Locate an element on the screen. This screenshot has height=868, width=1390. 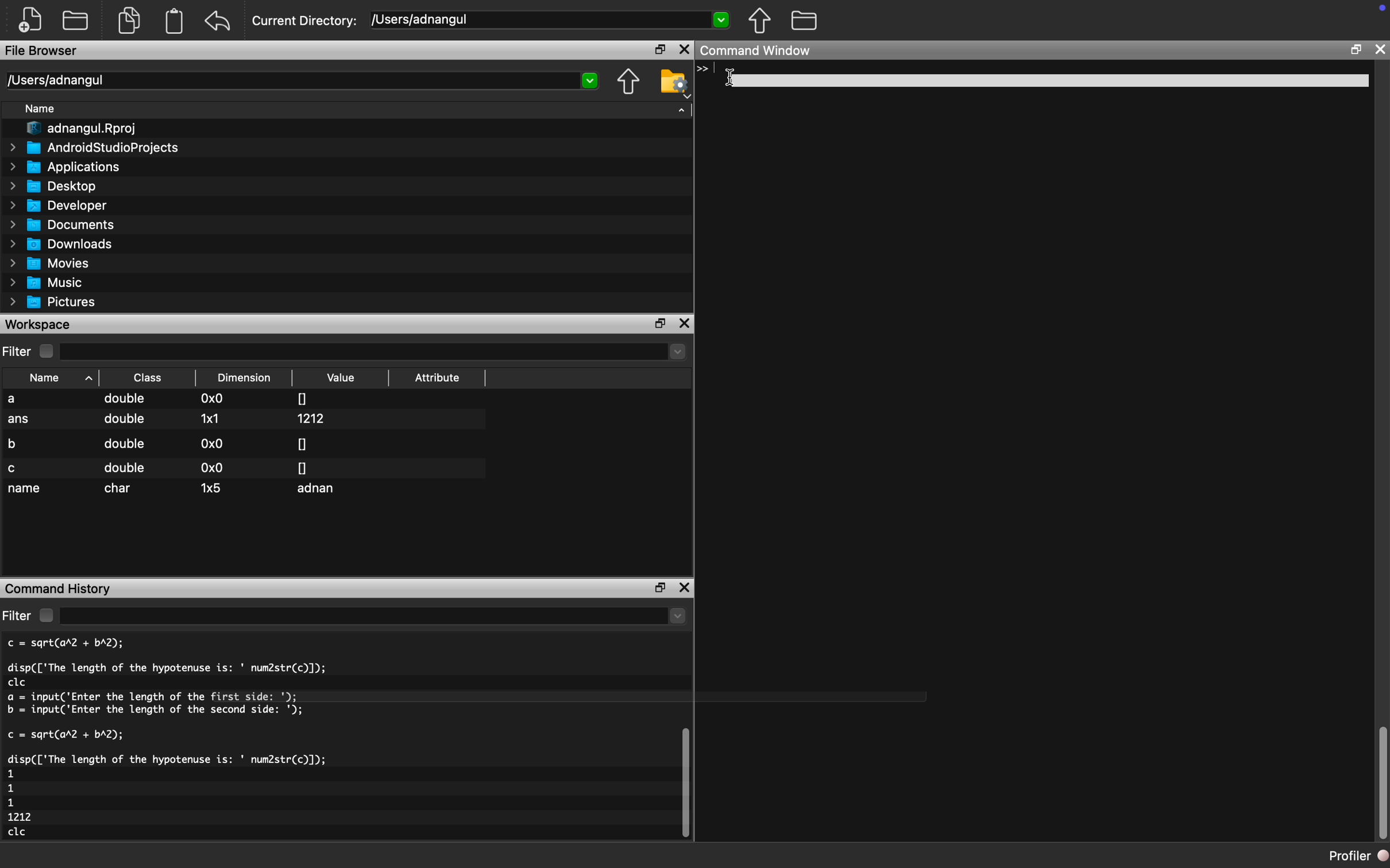
 Desktop is located at coordinates (60, 185).